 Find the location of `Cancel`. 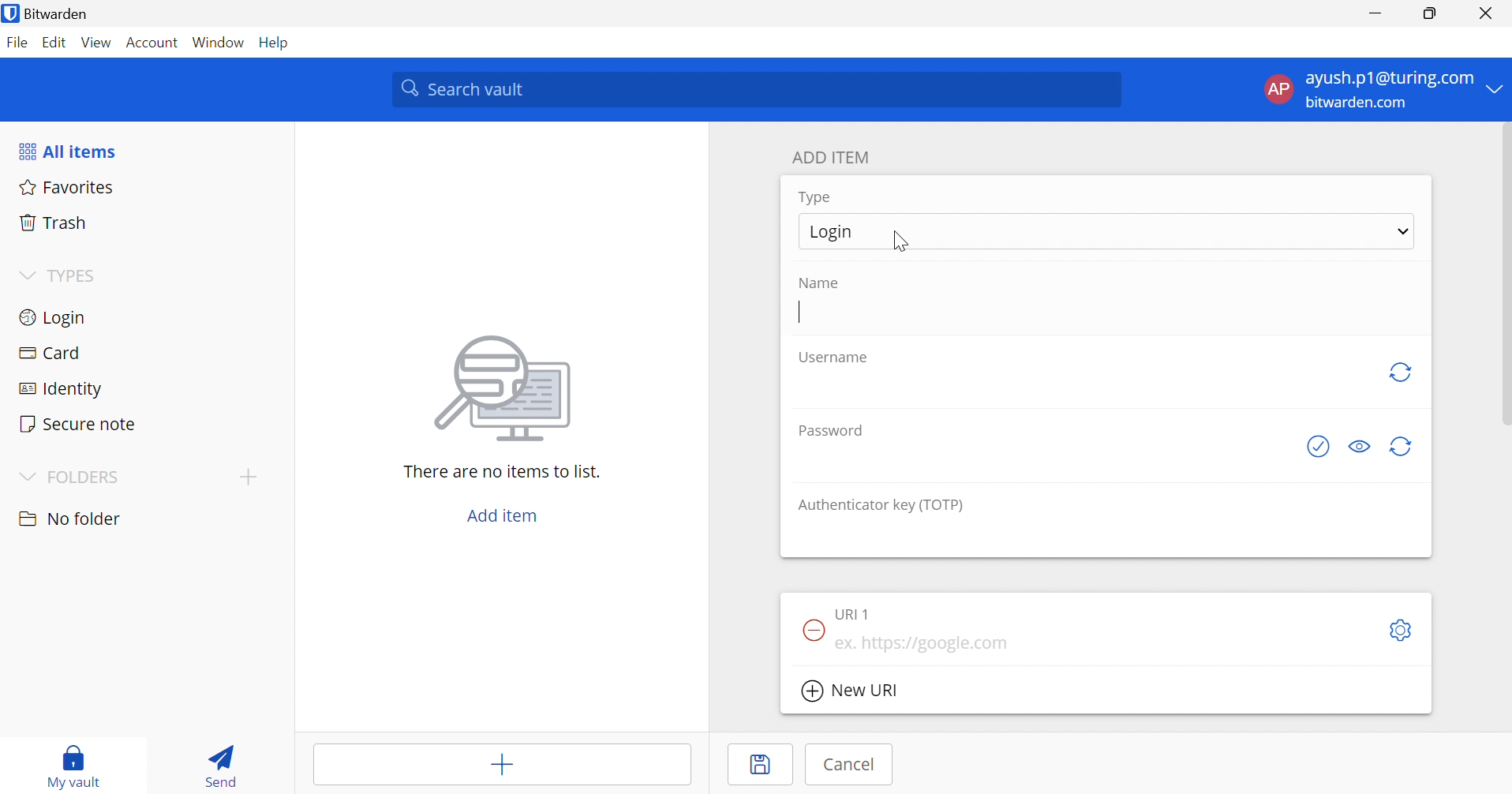

Cancel is located at coordinates (855, 765).